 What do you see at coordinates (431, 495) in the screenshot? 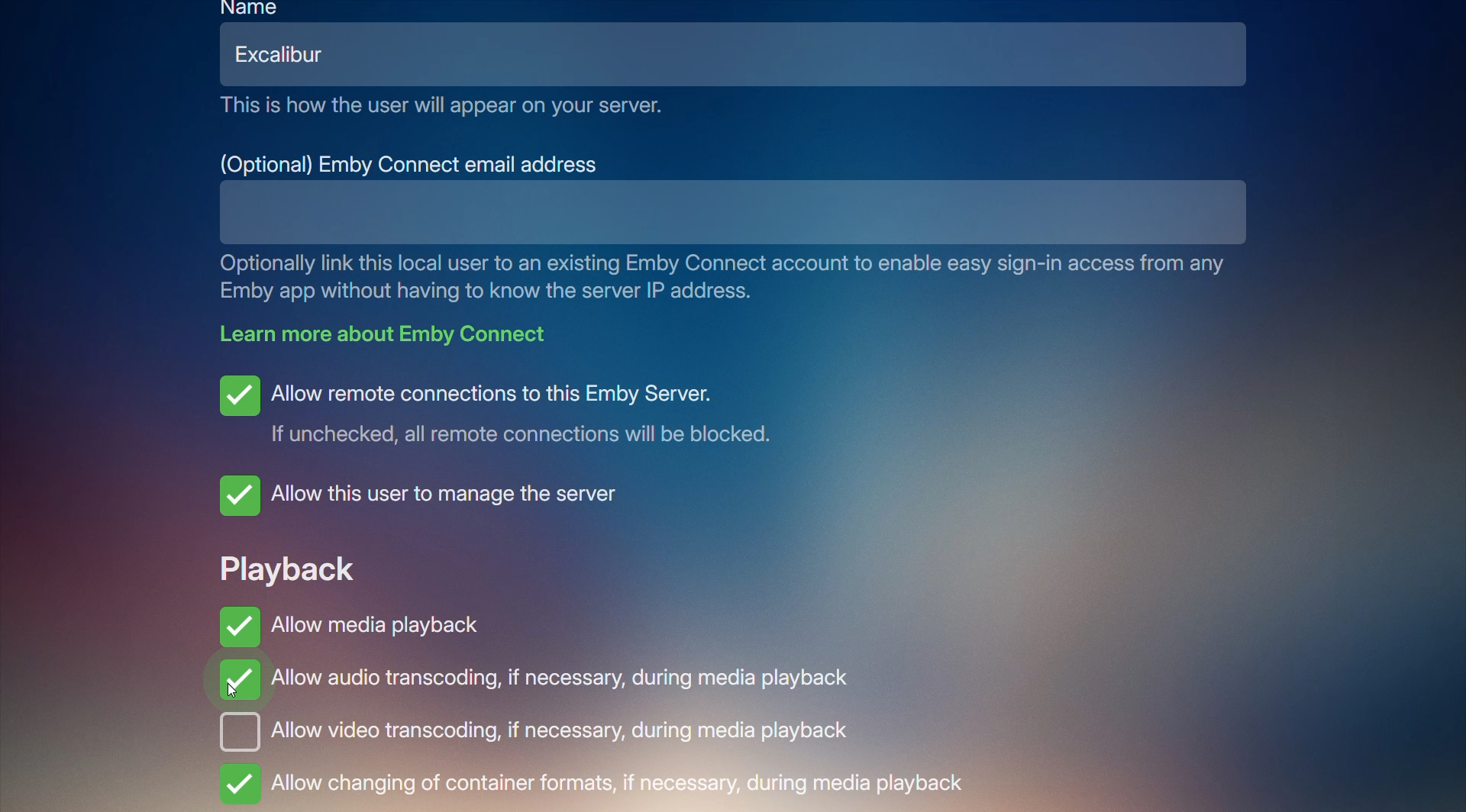
I see `Allow this user to manage the server` at bounding box center [431, 495].